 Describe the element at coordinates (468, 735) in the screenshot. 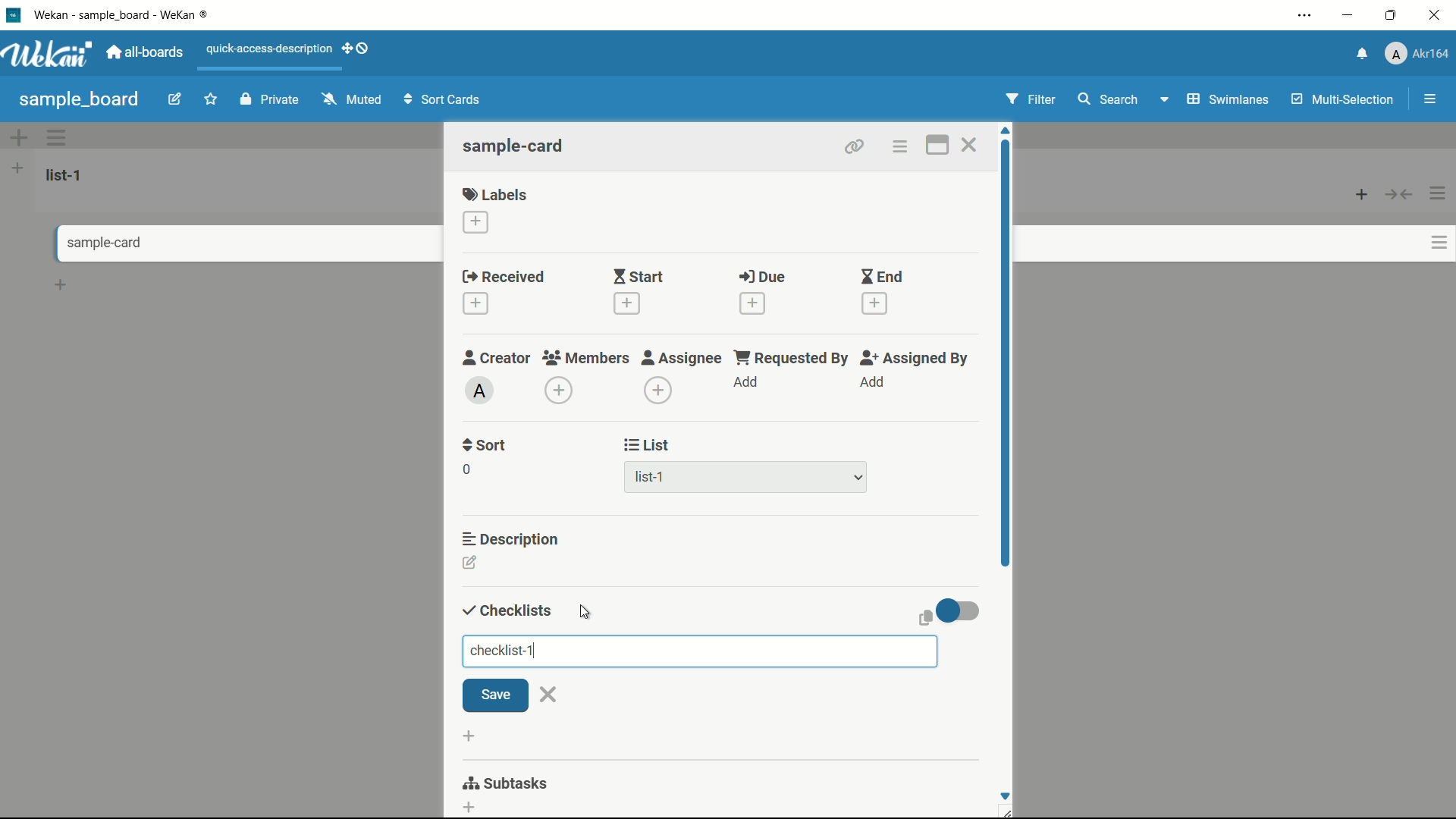

I see `add checklist` at that location.